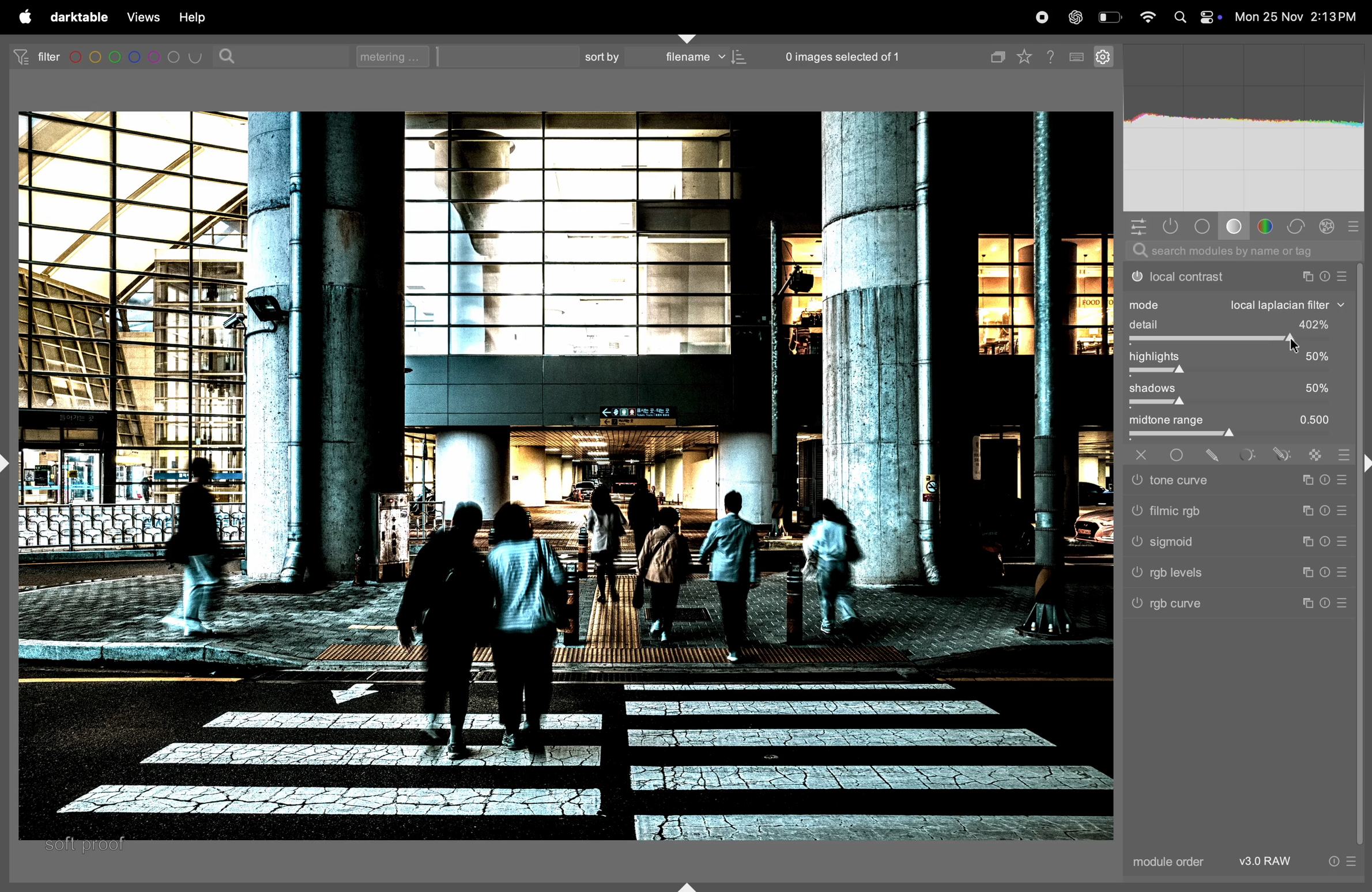 Image resolution: width=1372 pixels, height=892 pixels. What do you see at coordinates (1144, 455) in the screenshot?
I see `off` at bounding box center [1144, 455].